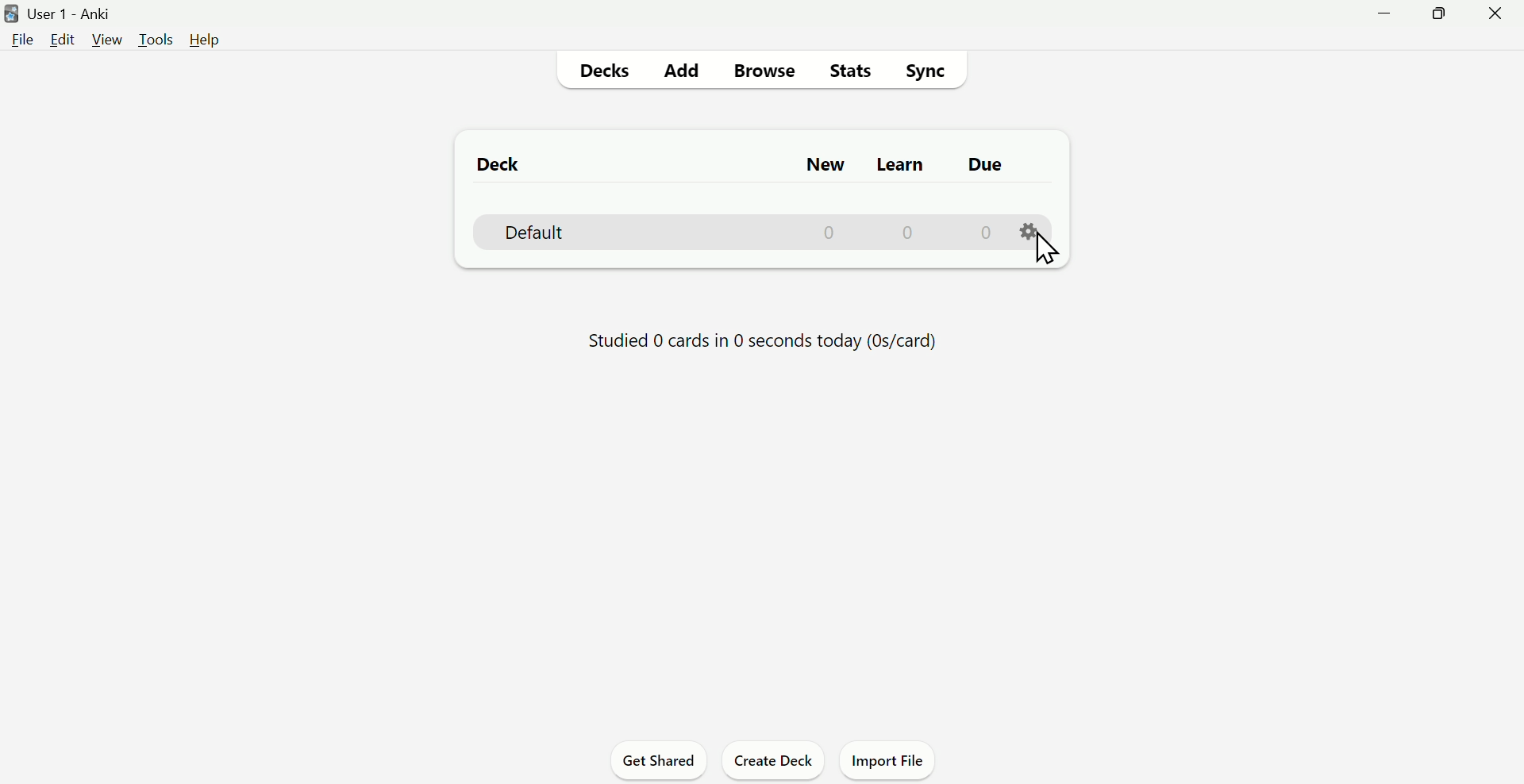  What do you see at coordinates (155, 40) in the screenshot?
I see `Tools` at bounding box center [155, 40].